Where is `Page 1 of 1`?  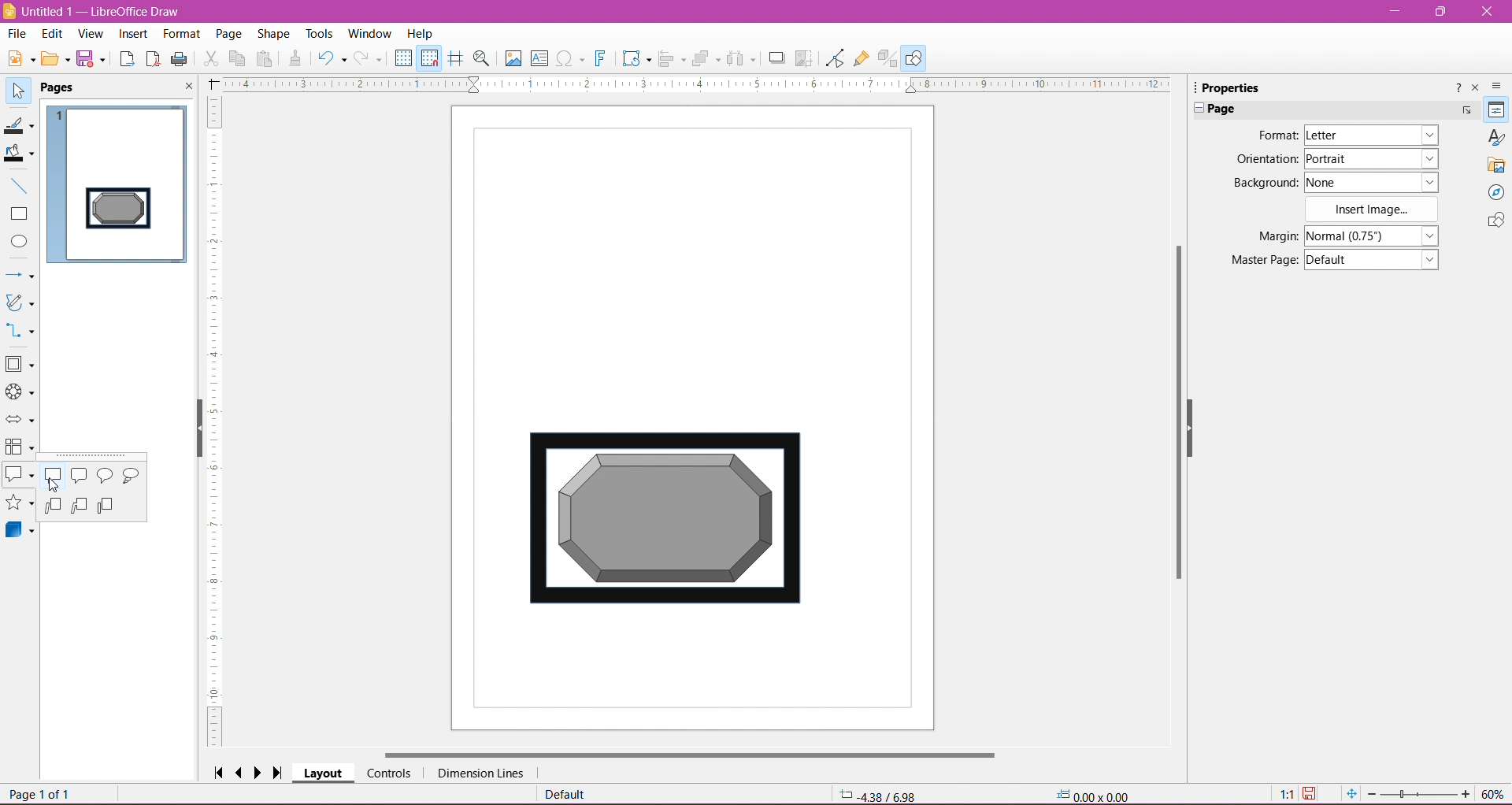
Page 1 of 1 is located at coordinates (43, 795).